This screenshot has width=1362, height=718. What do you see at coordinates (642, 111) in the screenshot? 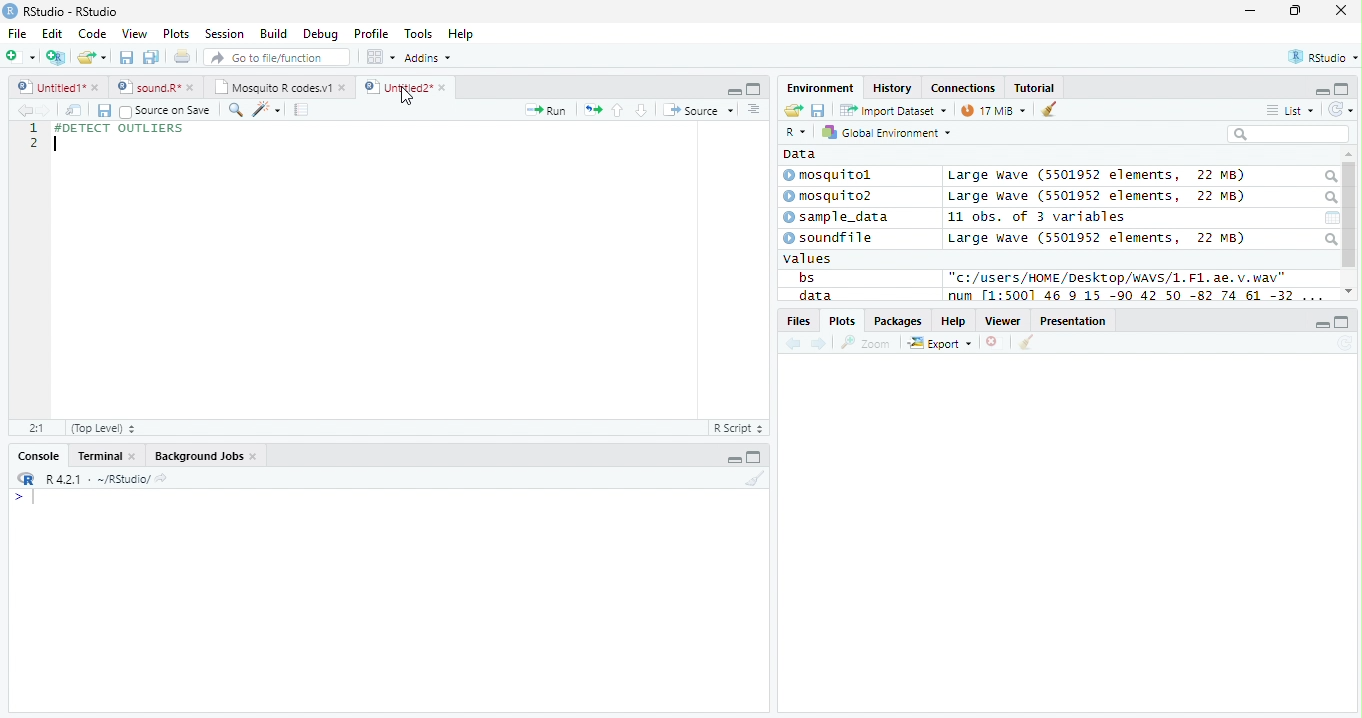
I see `Go to next session` at bounding box center [642, 111].